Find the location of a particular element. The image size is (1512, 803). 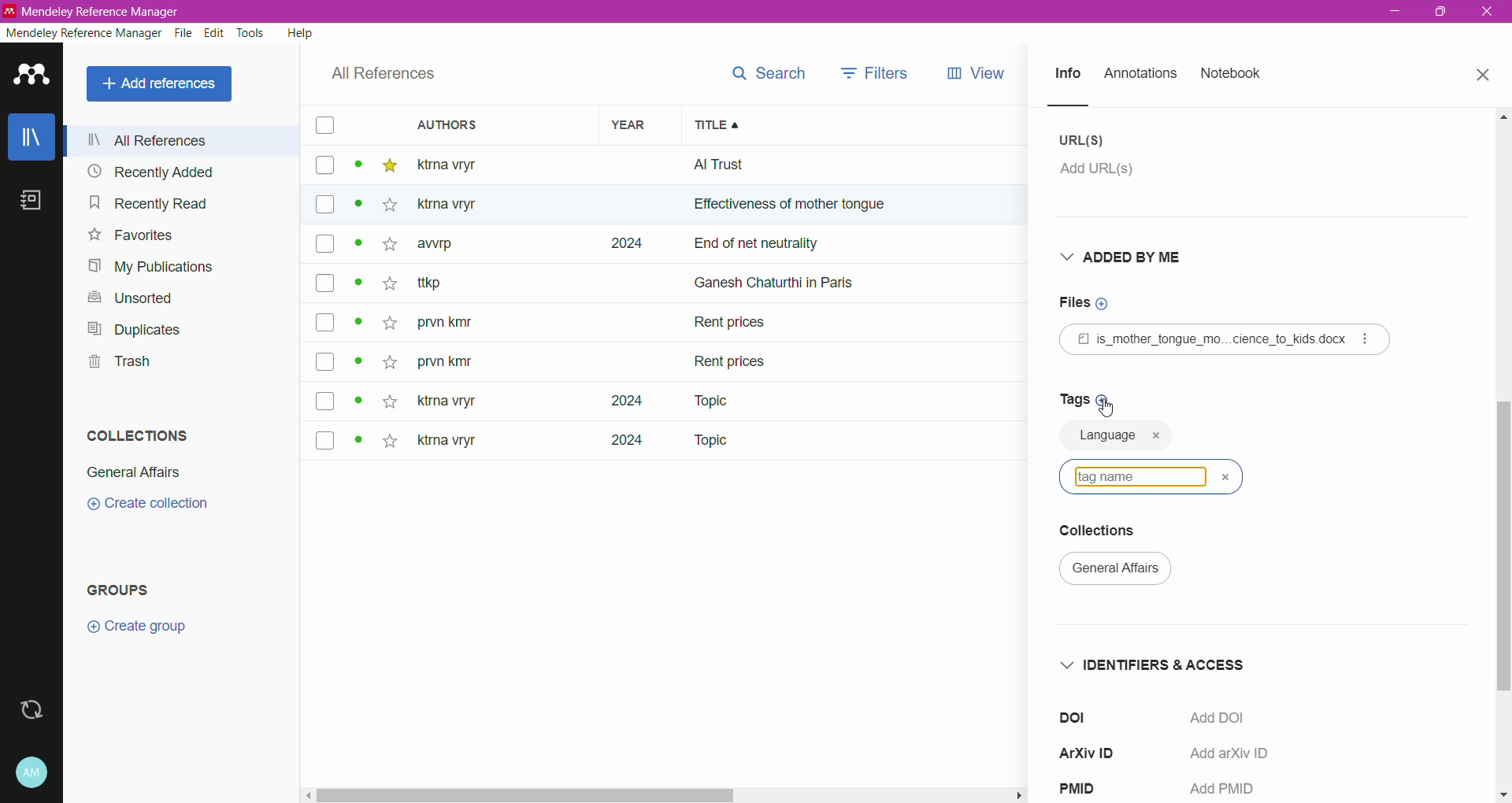

Last sync is located at coordinates (31, 710).